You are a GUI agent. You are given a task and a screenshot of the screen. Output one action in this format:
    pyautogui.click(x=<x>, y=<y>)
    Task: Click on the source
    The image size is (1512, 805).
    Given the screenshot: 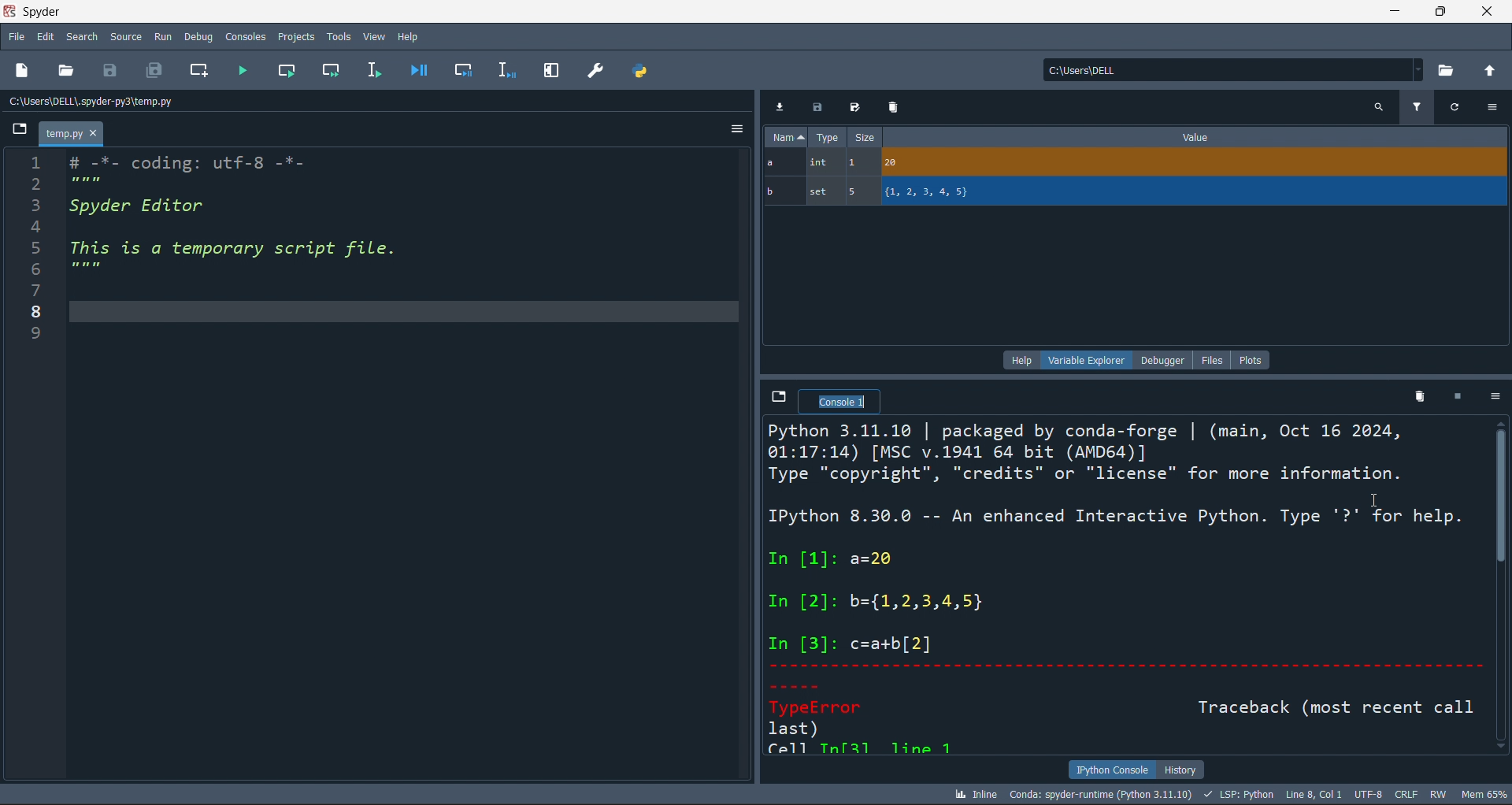 What is the action you would take?
    pyautogui.click(x=123, y=39)
    